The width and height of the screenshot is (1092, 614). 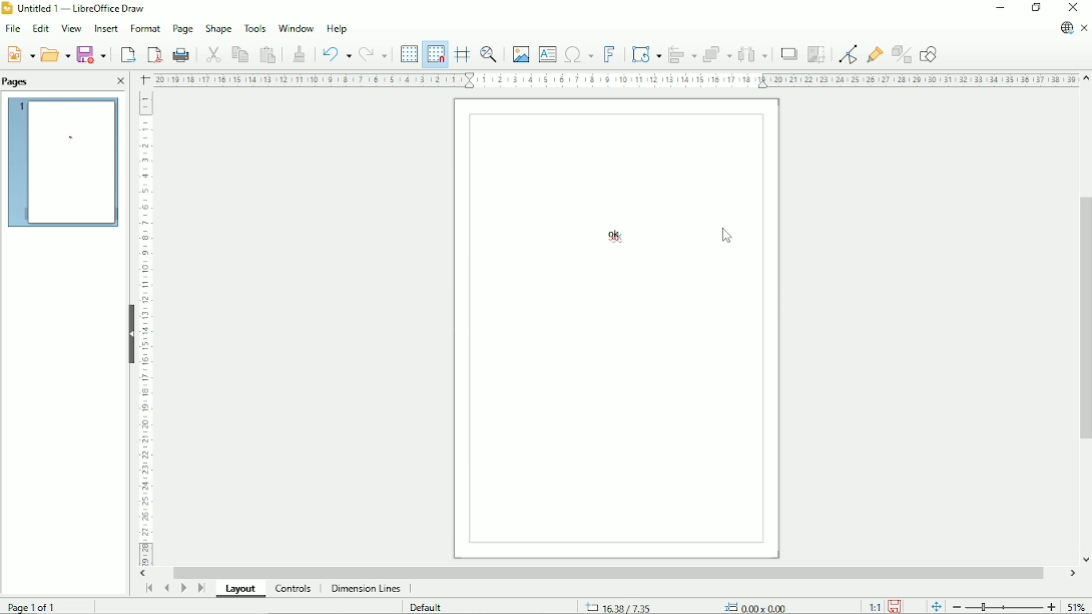 I want to click on Zoom factor, so click(x=1078, y=607).